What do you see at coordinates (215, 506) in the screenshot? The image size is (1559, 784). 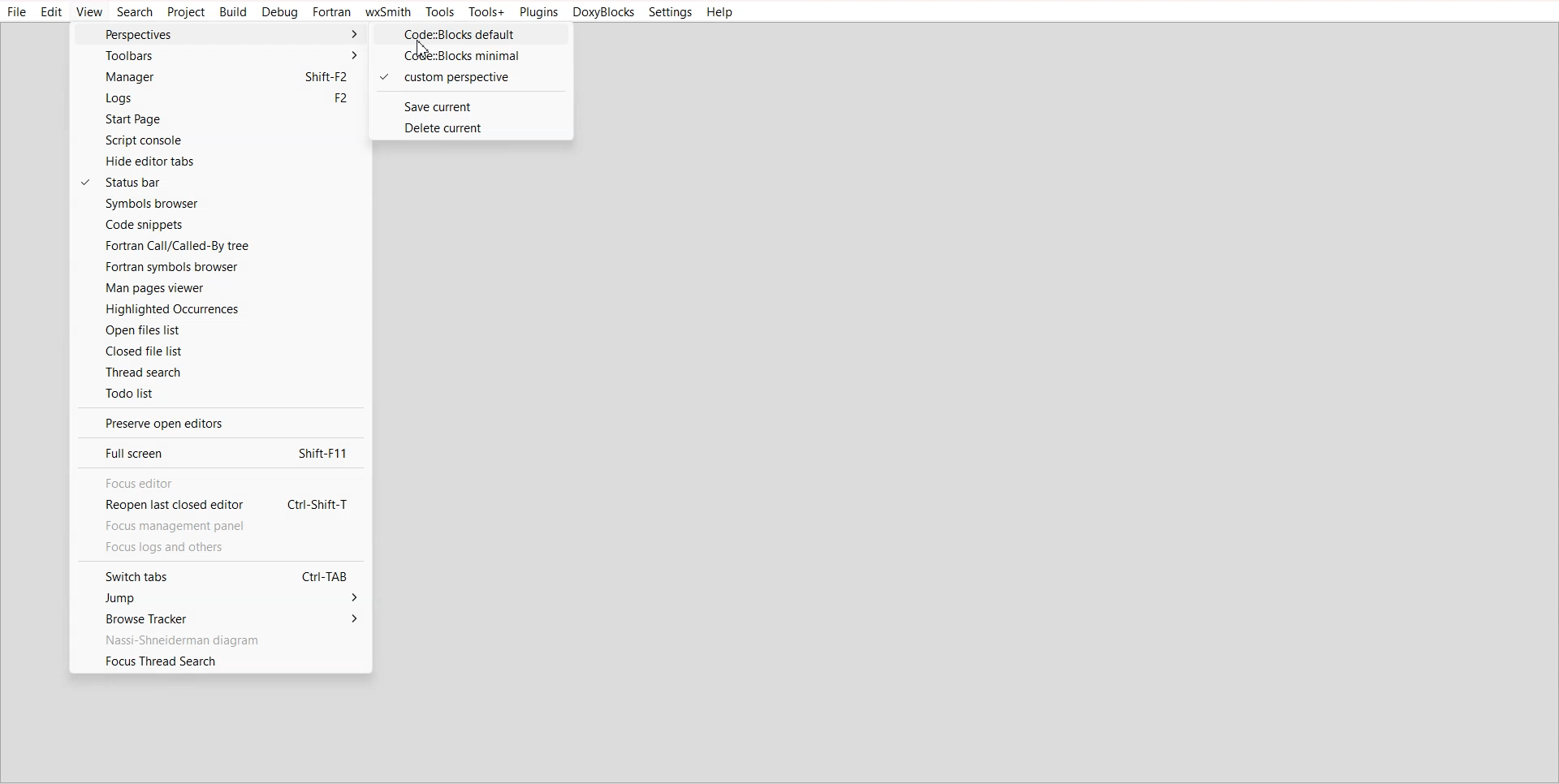 I see `Reopen last closed editor` at bounding box center [215, 506].